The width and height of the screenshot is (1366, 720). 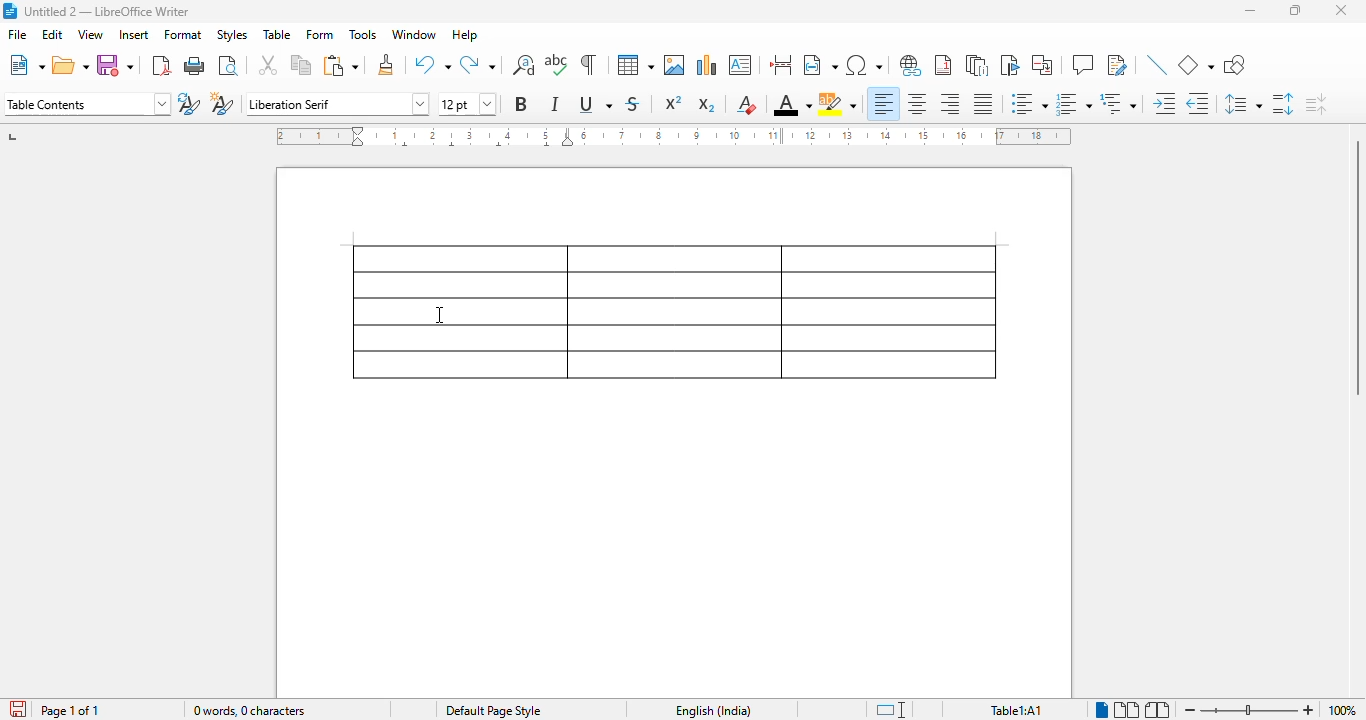 I want to click on bold, so click(x=522, y=103).